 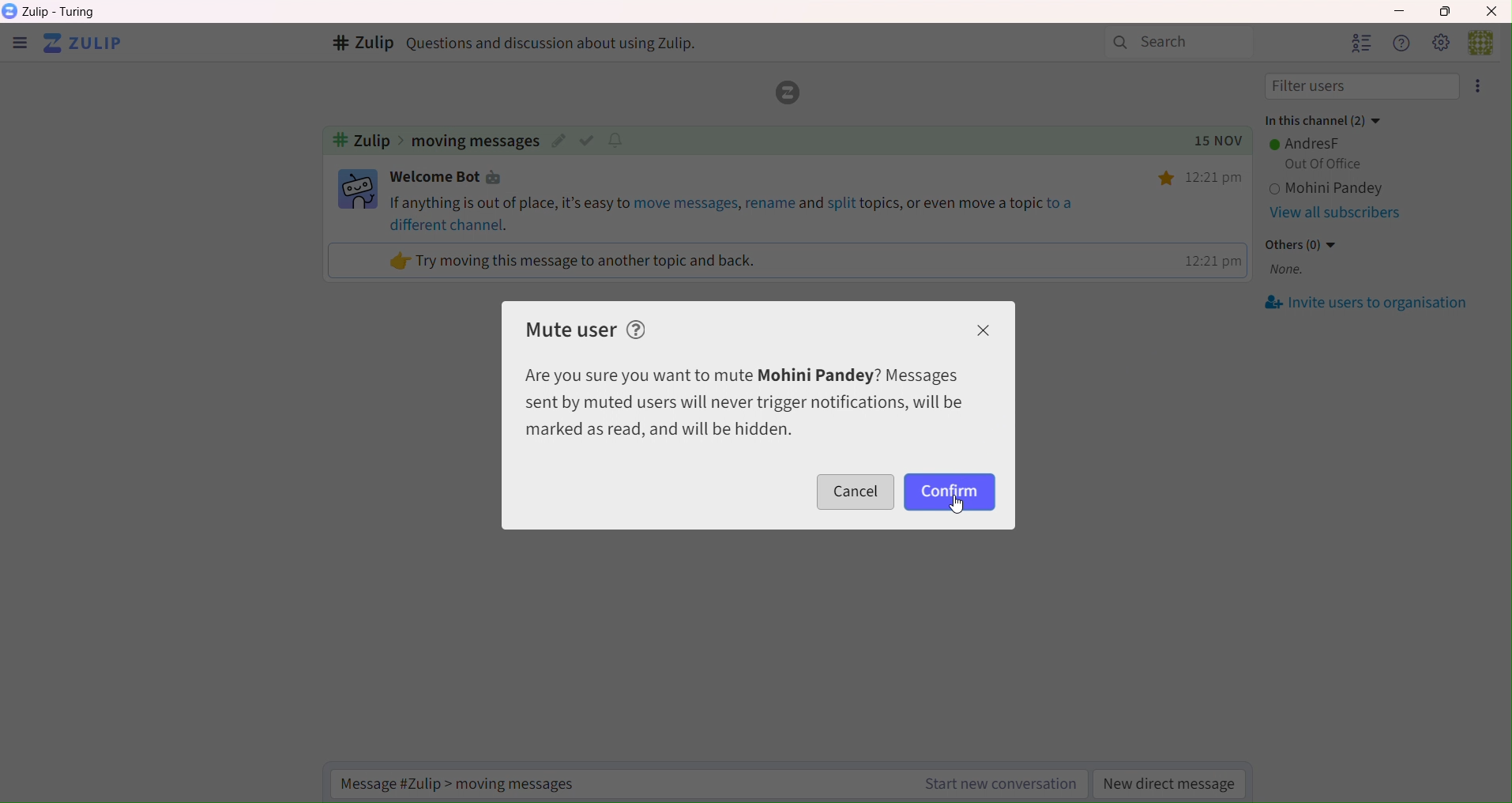 I want to click on confirm, so click(x=949, y=492).